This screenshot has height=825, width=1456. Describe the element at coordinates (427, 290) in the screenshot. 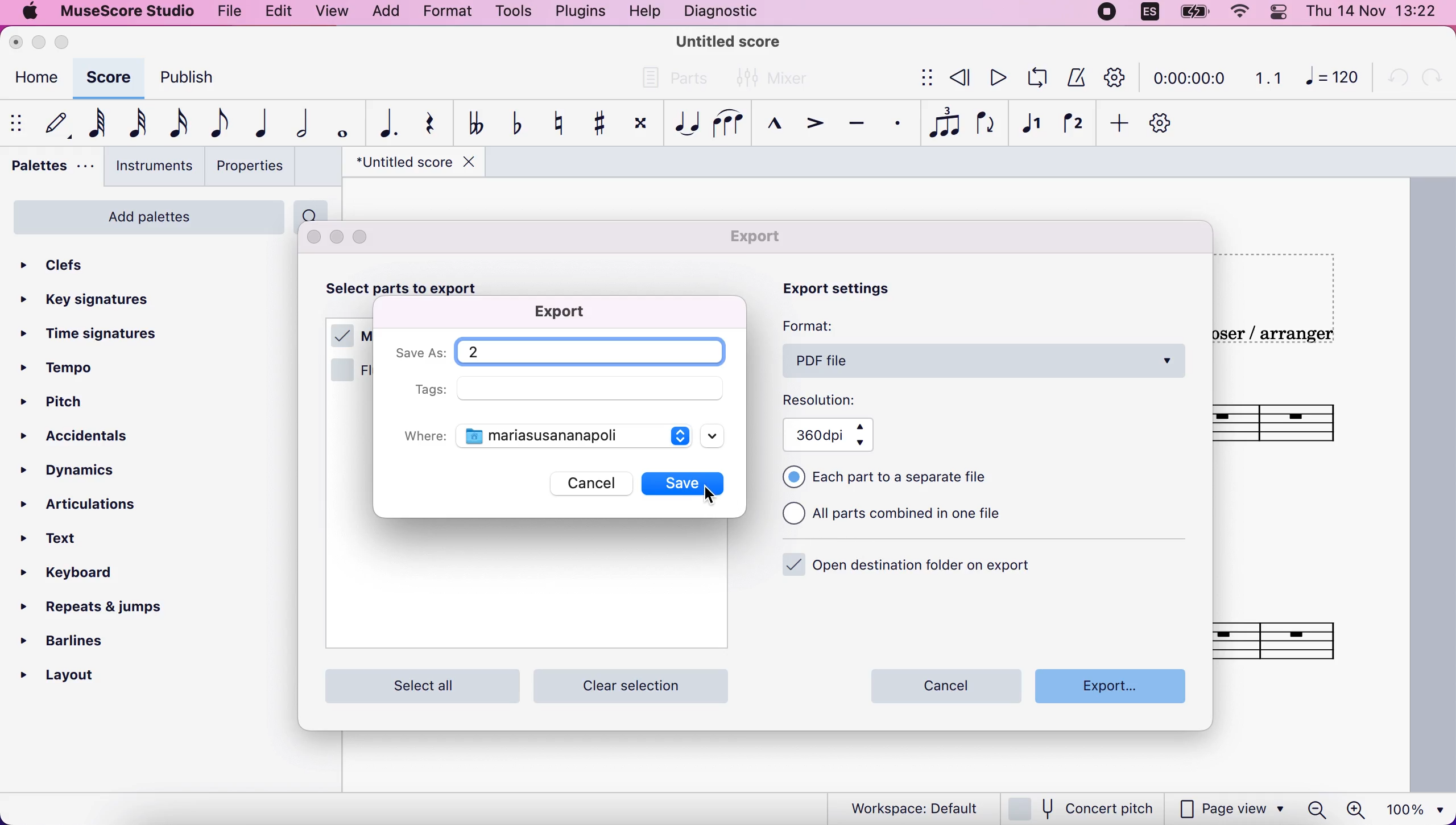

I see `select parts to export` at that location.